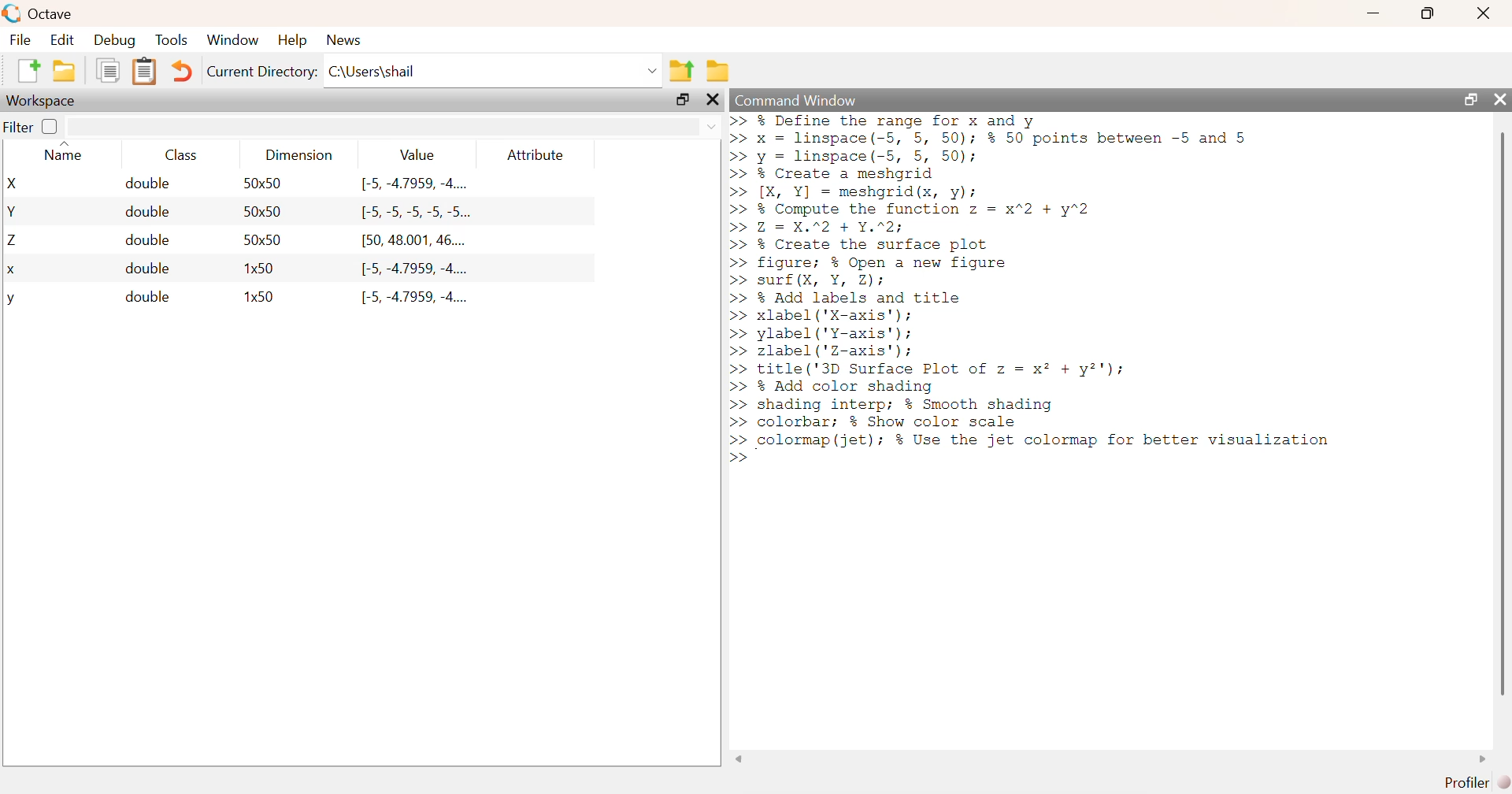  What do you see at coordinates (346, 40) in the screenshot?
I see `News` at bounding box center [346, 40].